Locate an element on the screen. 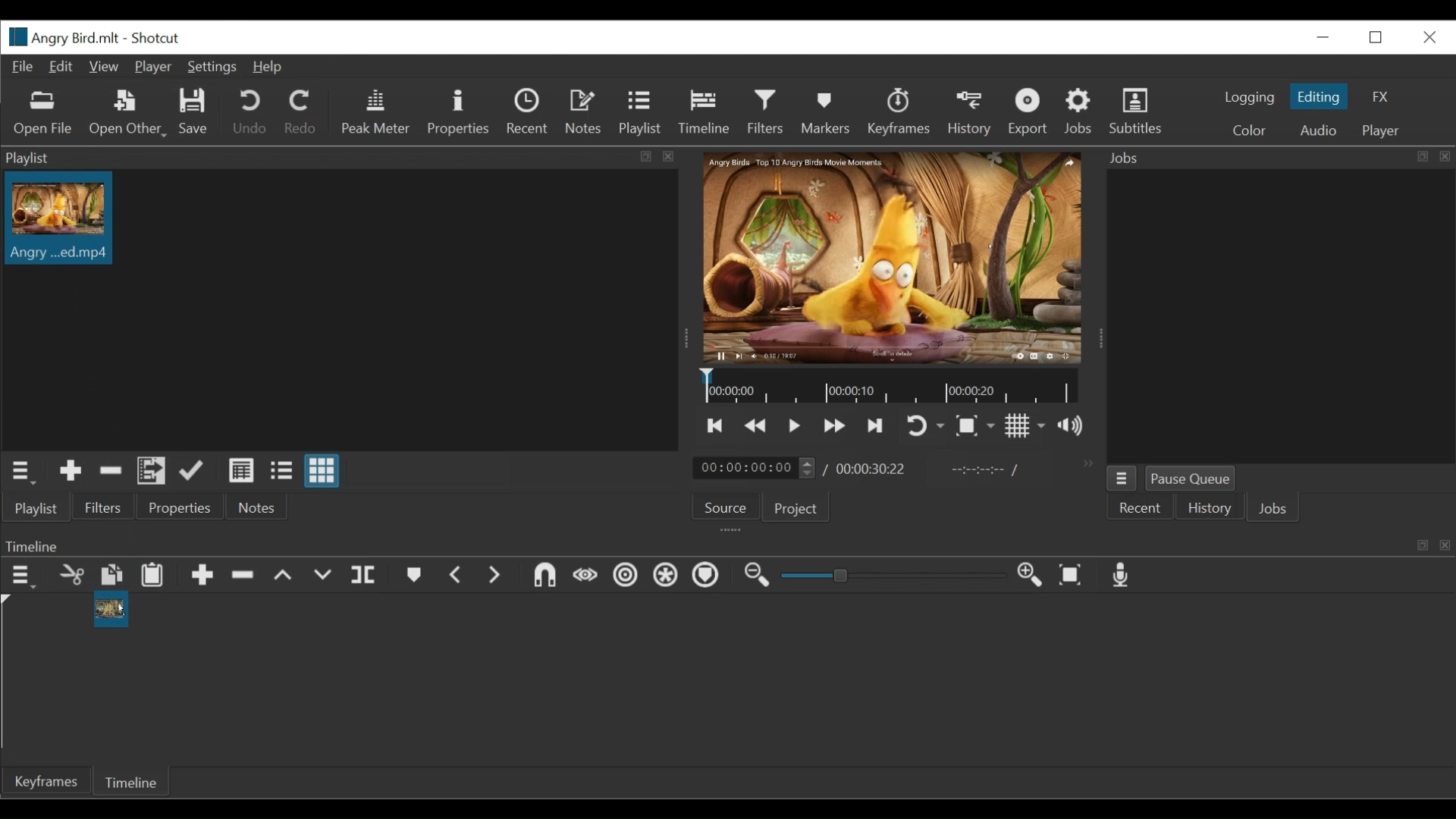 Image resolution: width=1456 pixels, height=819 pixels. Show volume control is located at coordinates (1068, 424).